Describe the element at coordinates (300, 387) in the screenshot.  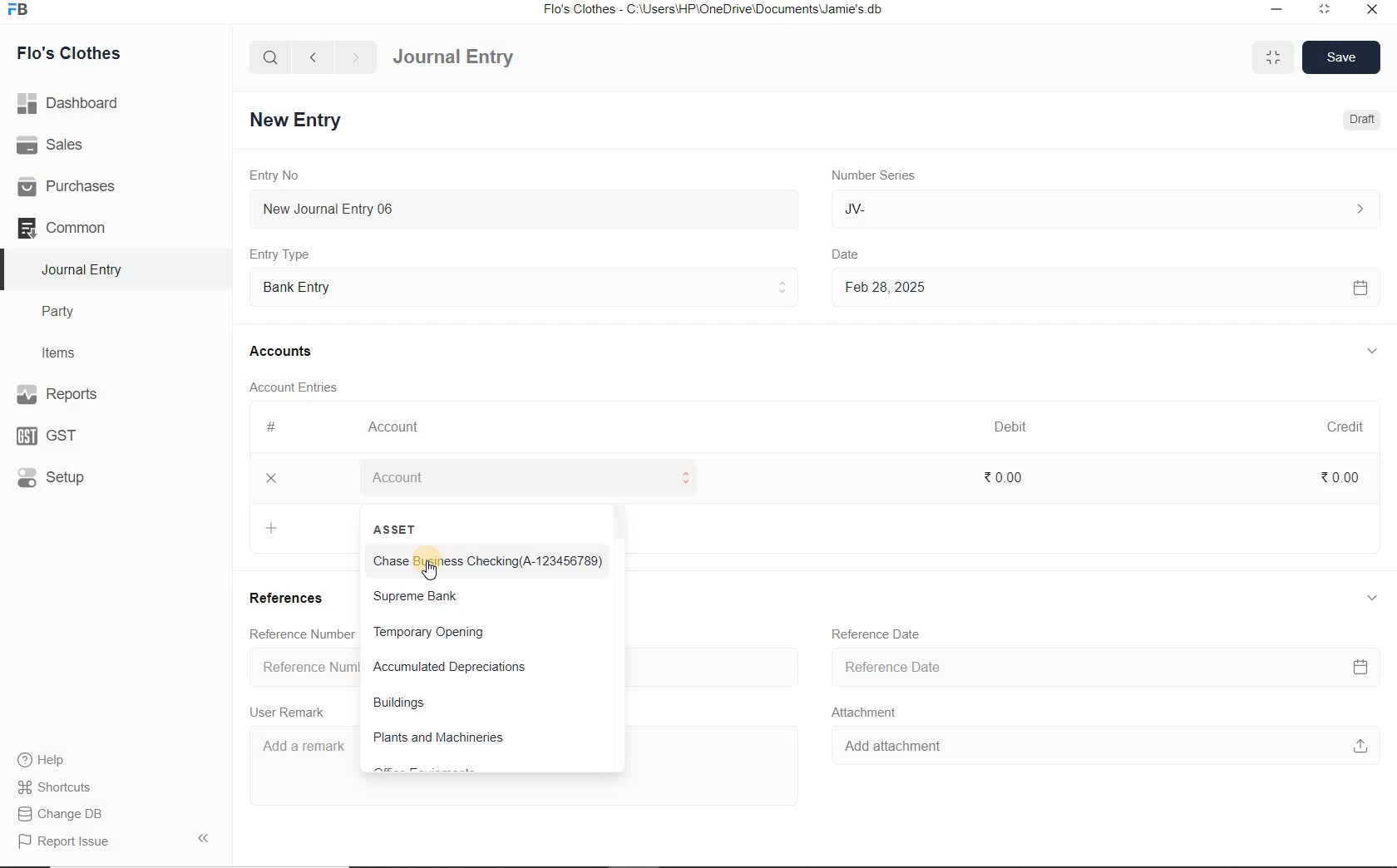
I see `Account Entries` at that location.